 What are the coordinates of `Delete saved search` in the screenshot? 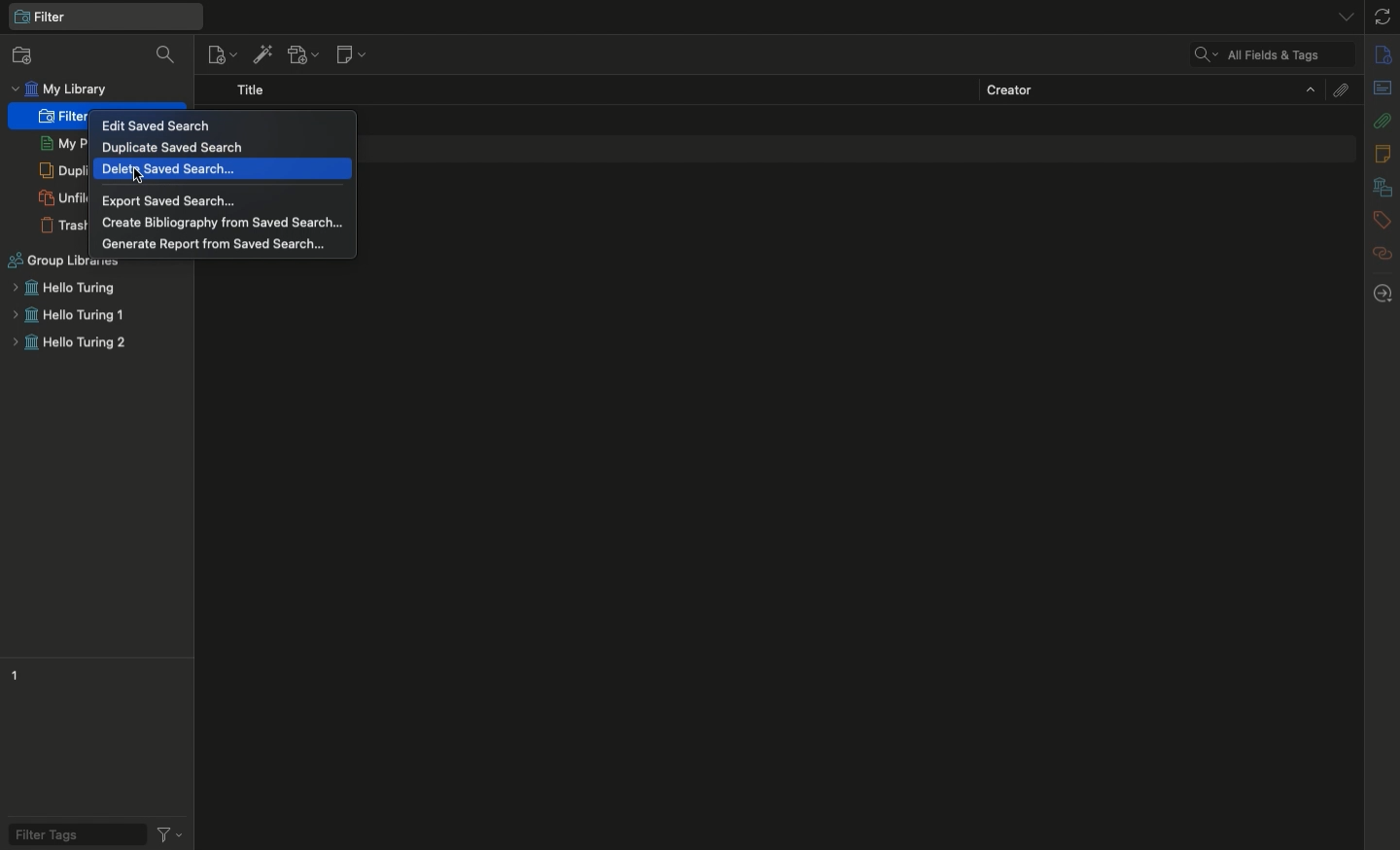 It's located at (176, 170).